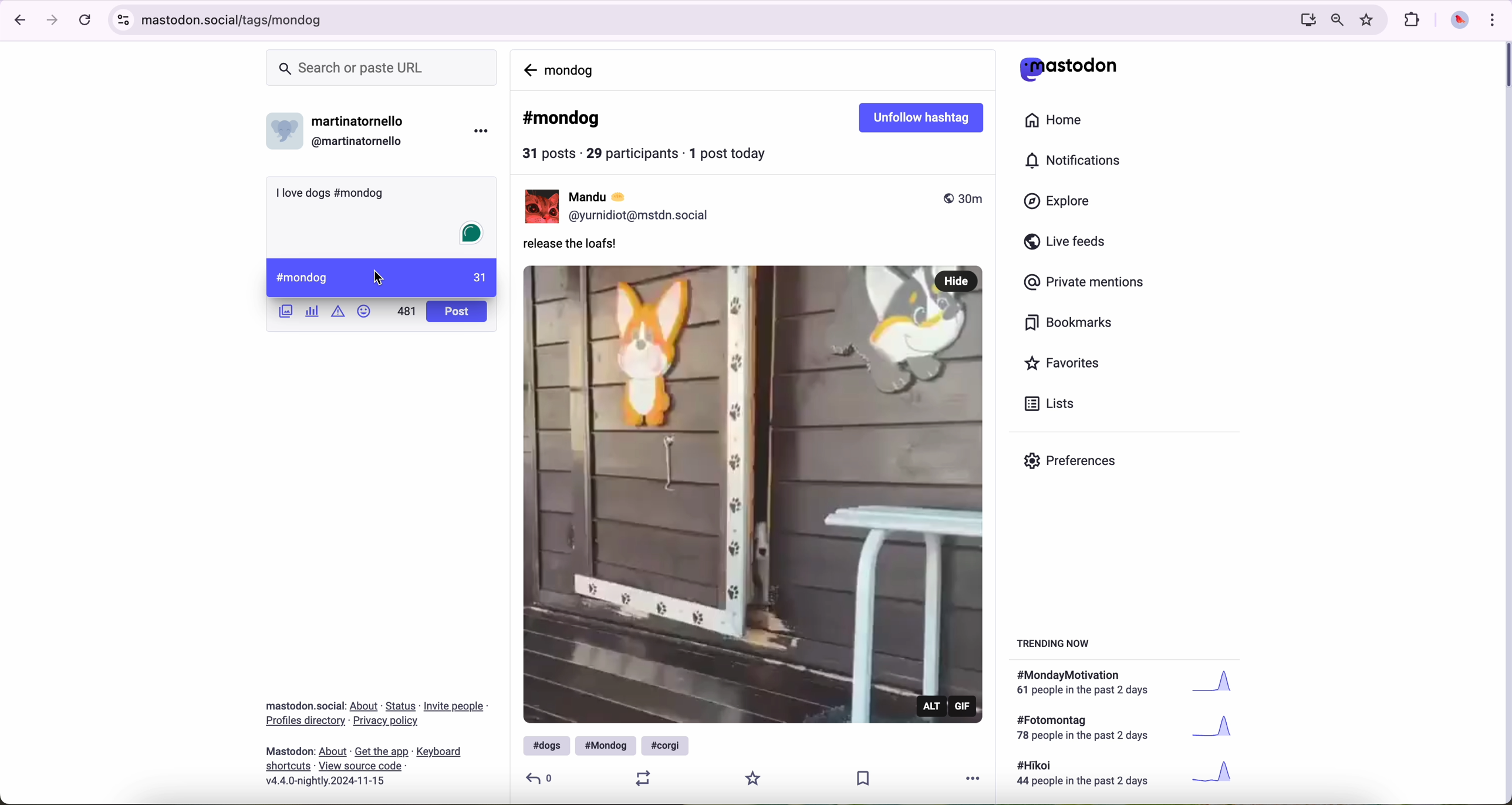  Describe the element at coordinates (471, 234) in the screenshot. I see `Grammarly` at that location.